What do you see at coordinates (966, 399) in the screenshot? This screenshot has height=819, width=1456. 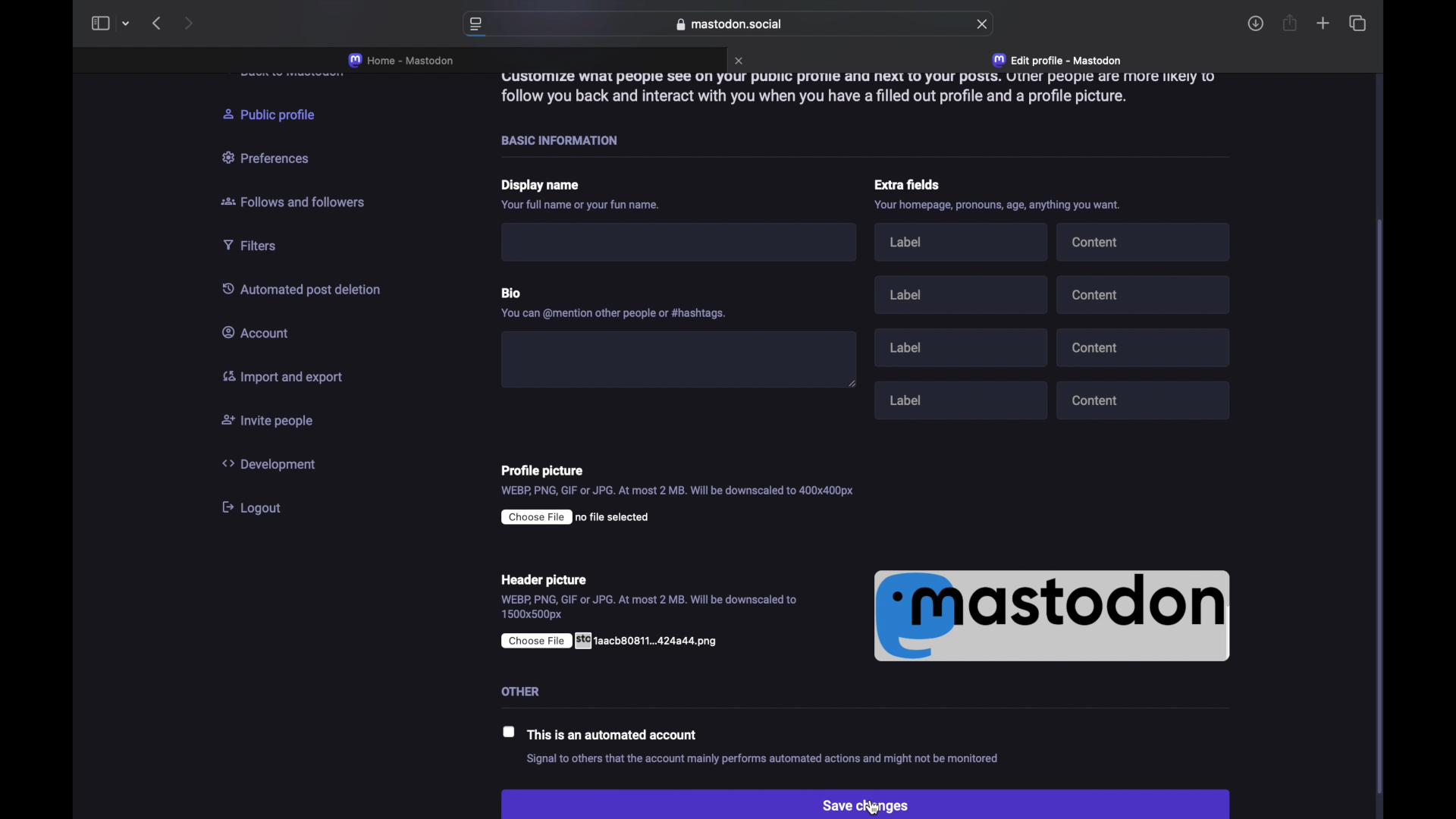 I see `label` at bounding box center [966, 399].